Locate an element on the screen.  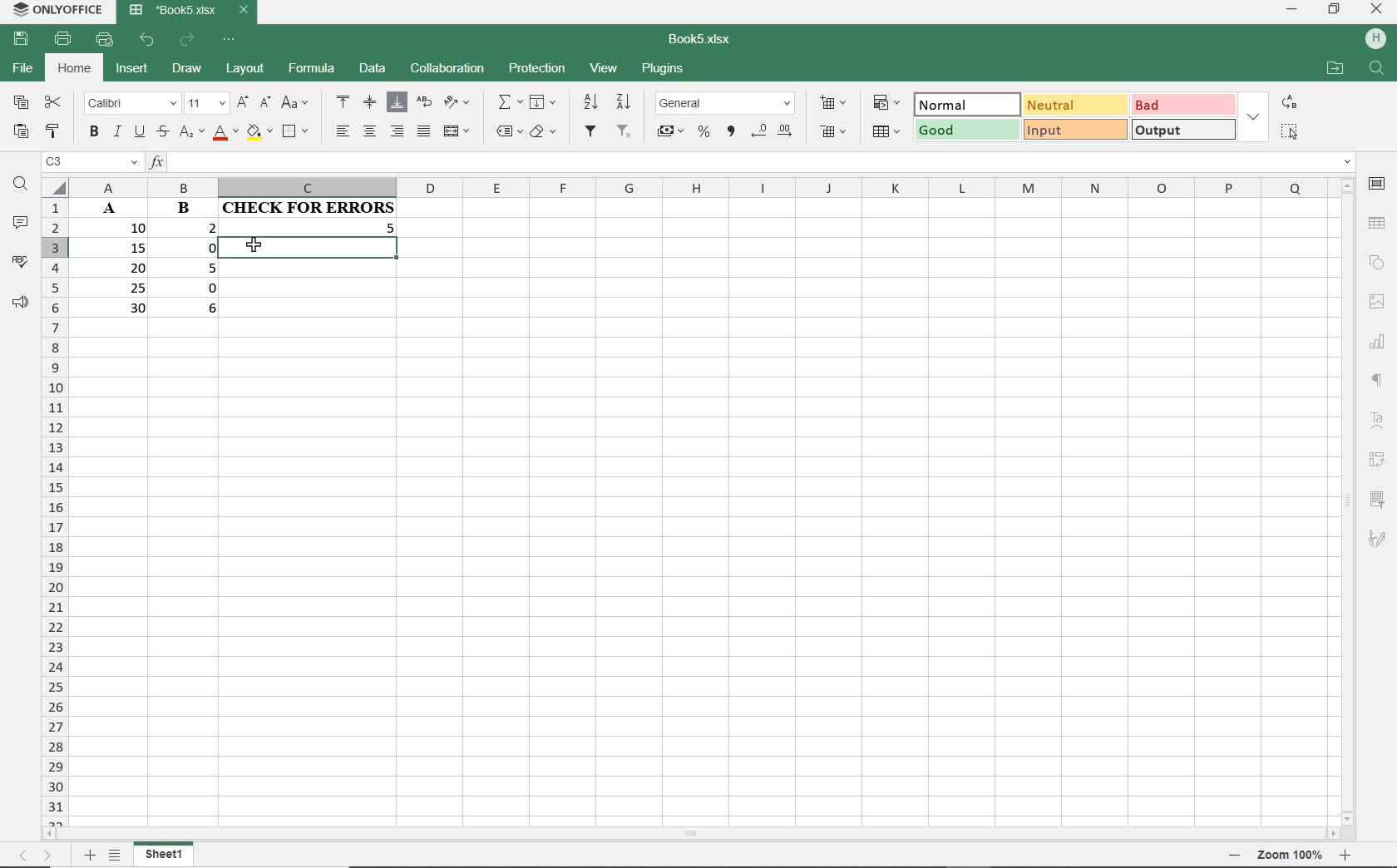
INSERT is located at coordinates (131, 68).